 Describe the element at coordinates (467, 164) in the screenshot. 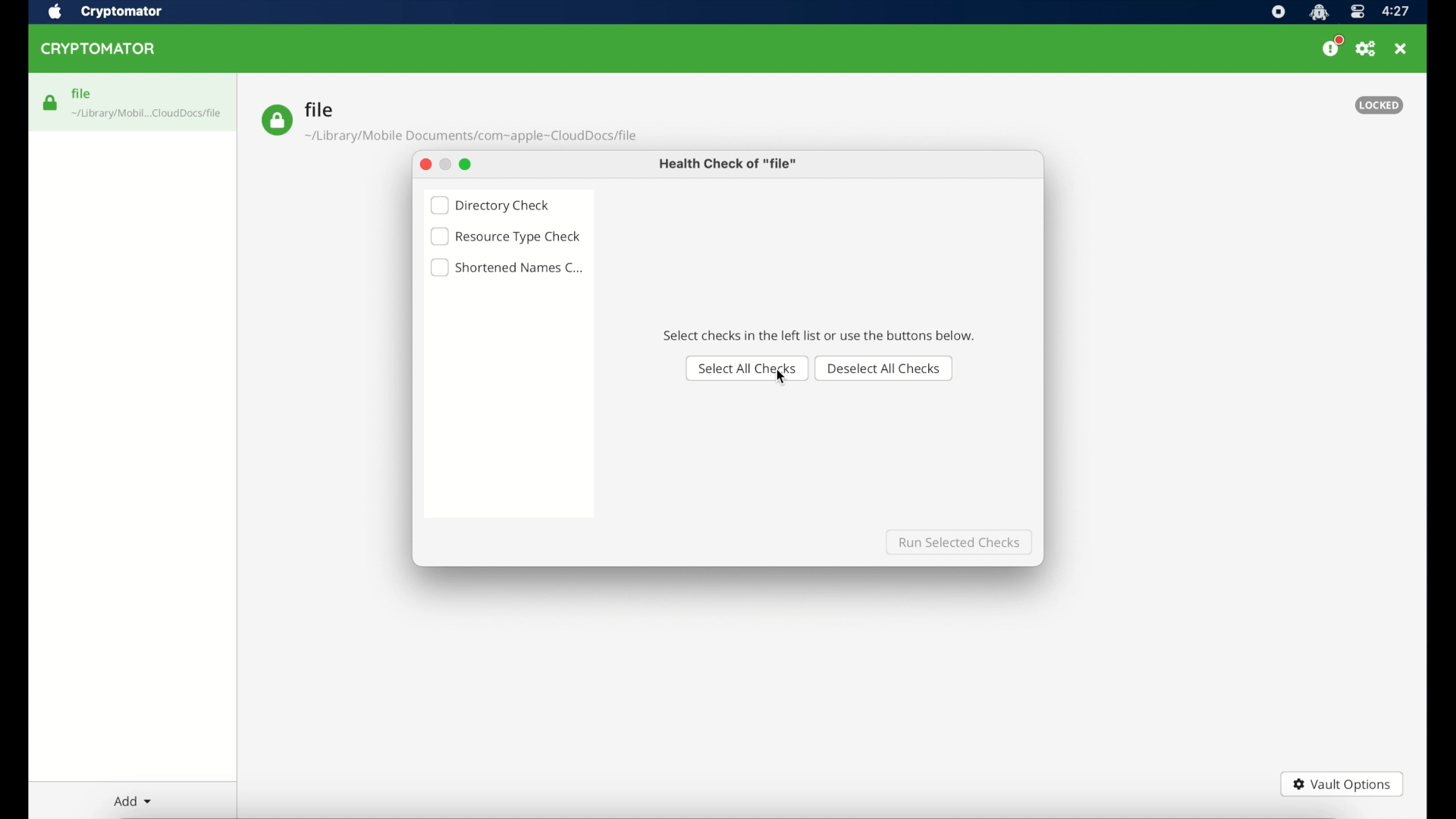

I see `maximize` at that location.